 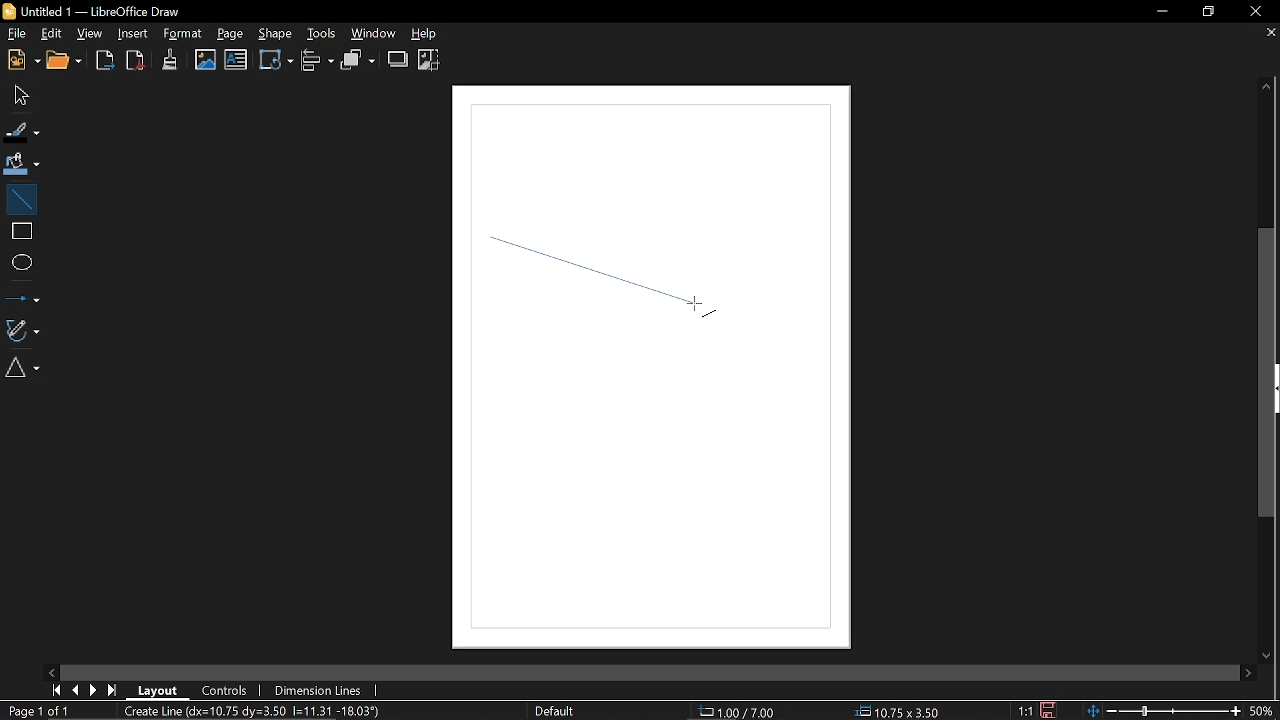 What do you see at coordinates (20, 231) in the screenshot?
I see `rectangle` at bounding box center [20, 231].